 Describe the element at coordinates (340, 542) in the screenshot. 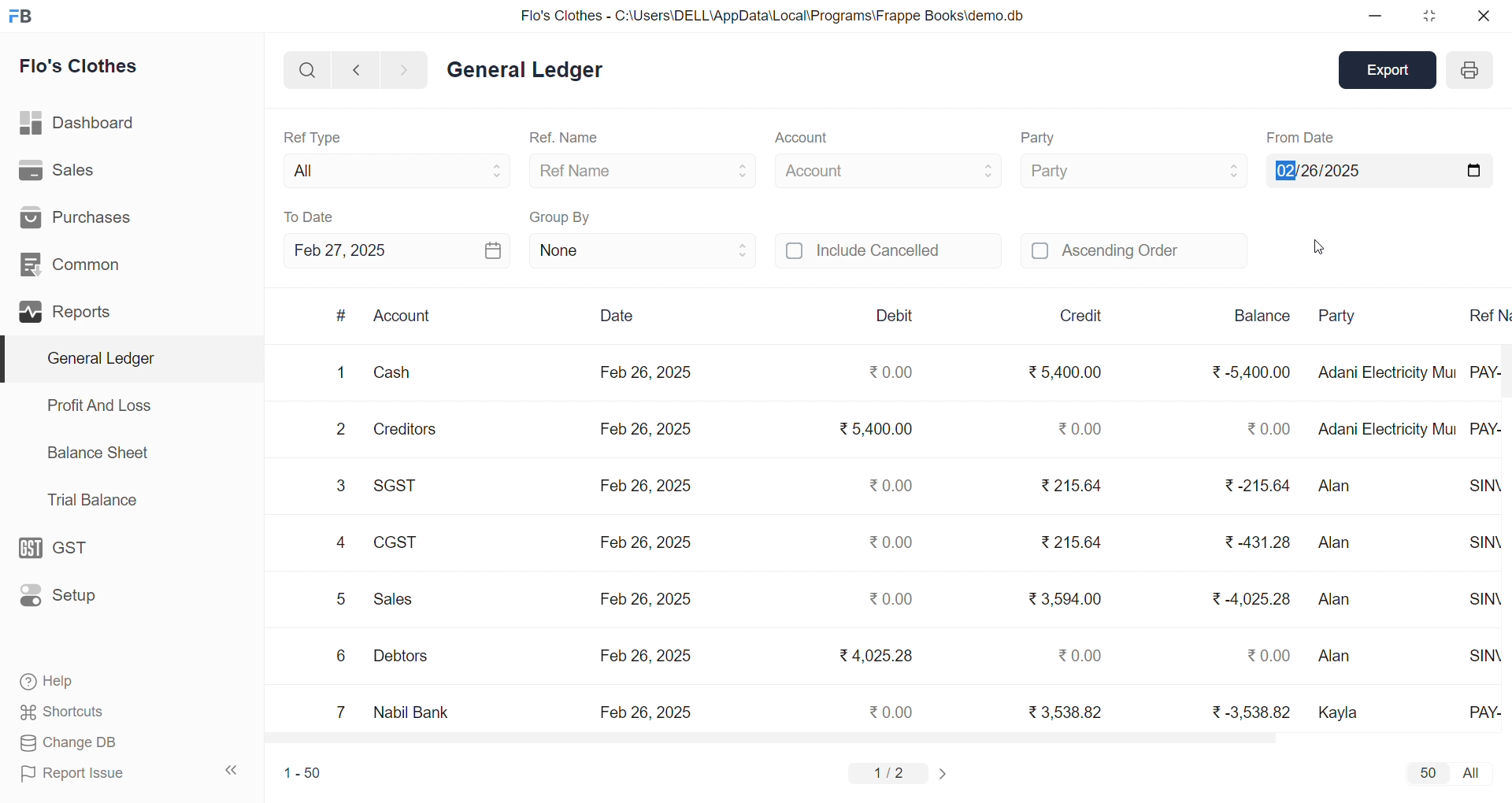

I see `4` at that location.